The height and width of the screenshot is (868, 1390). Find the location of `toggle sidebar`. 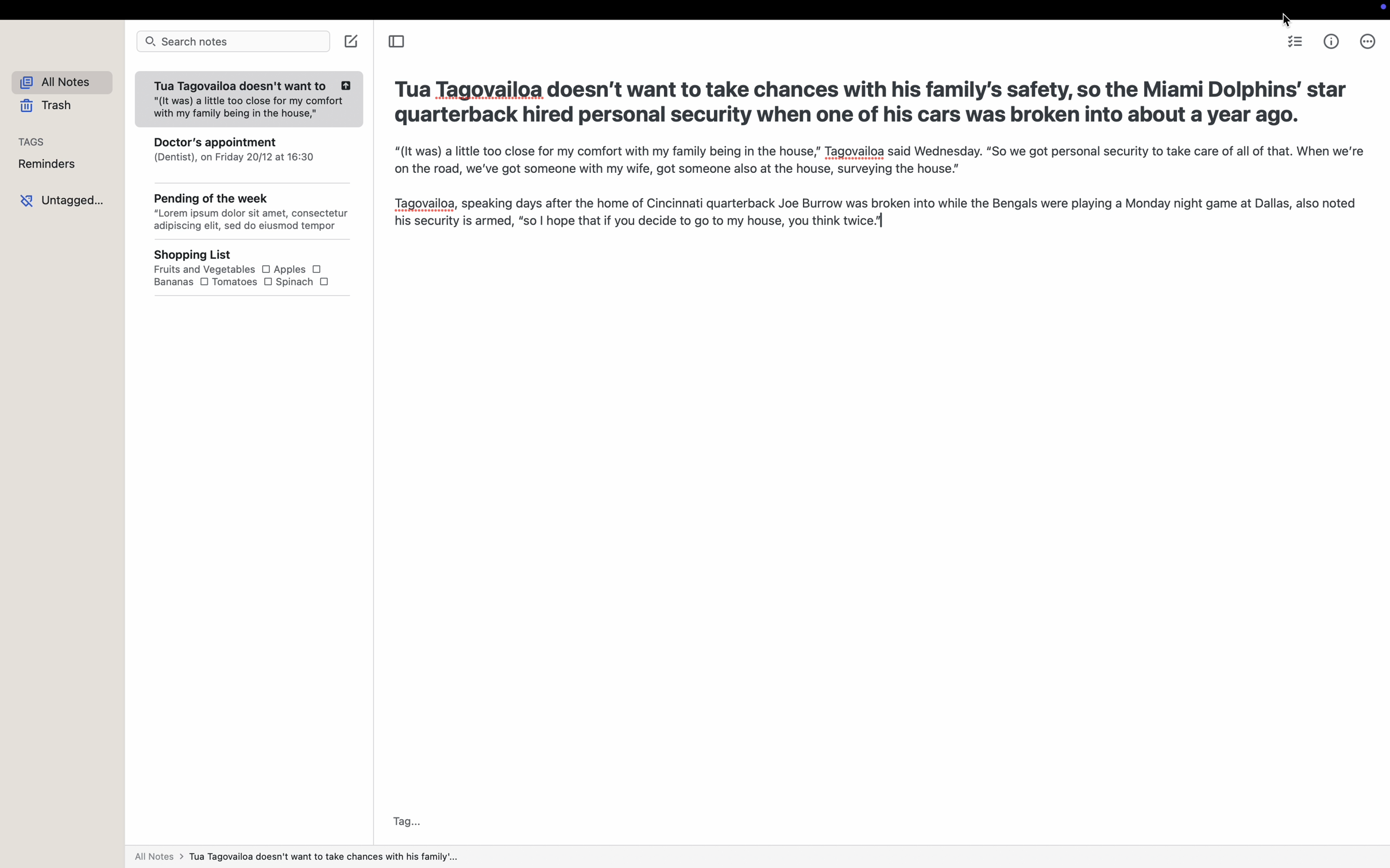

toggle sidebar is located at coordinates (395, 43).